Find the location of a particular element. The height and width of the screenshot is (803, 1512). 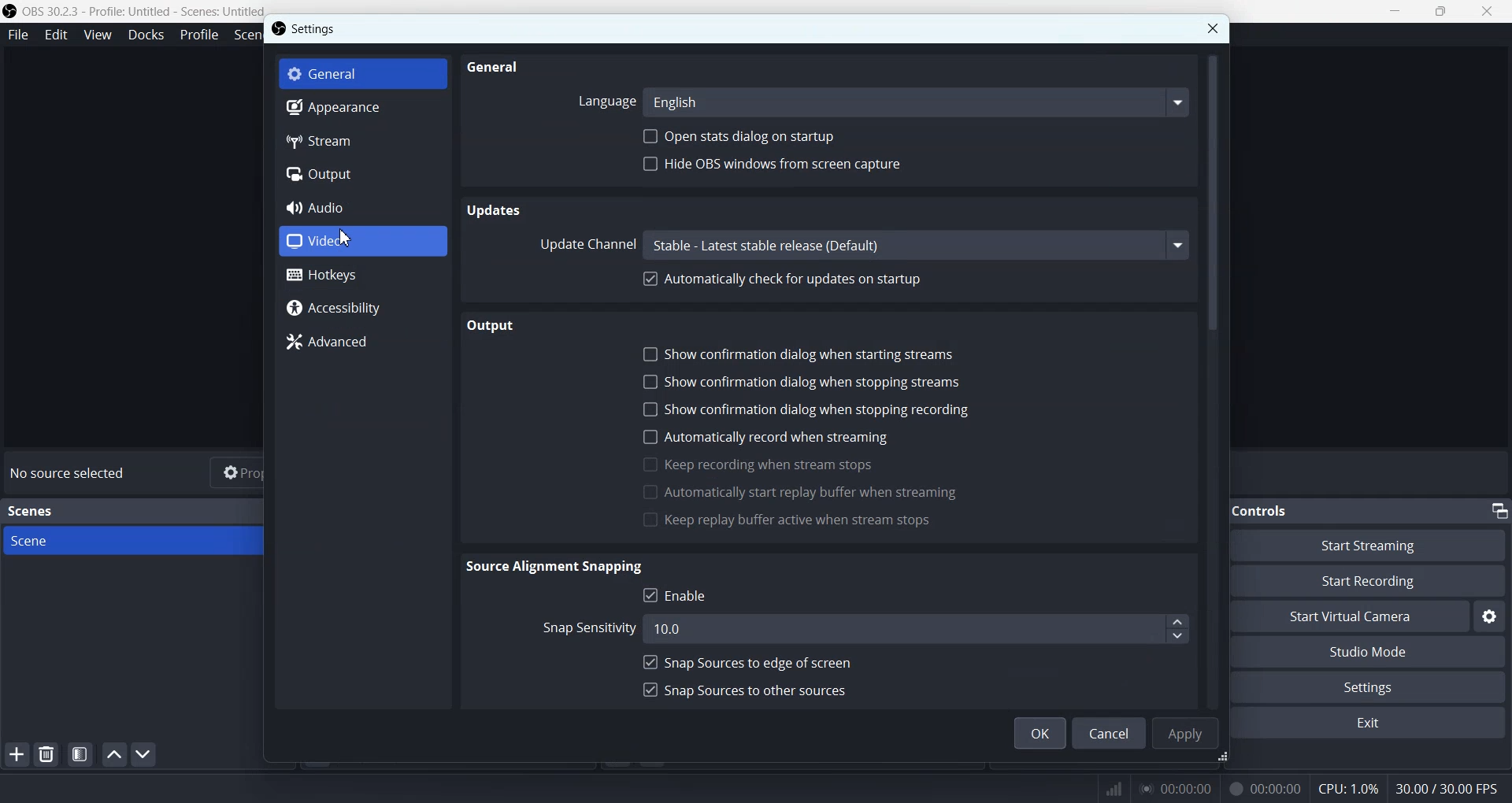

Output is located at coordinates (362, 174).